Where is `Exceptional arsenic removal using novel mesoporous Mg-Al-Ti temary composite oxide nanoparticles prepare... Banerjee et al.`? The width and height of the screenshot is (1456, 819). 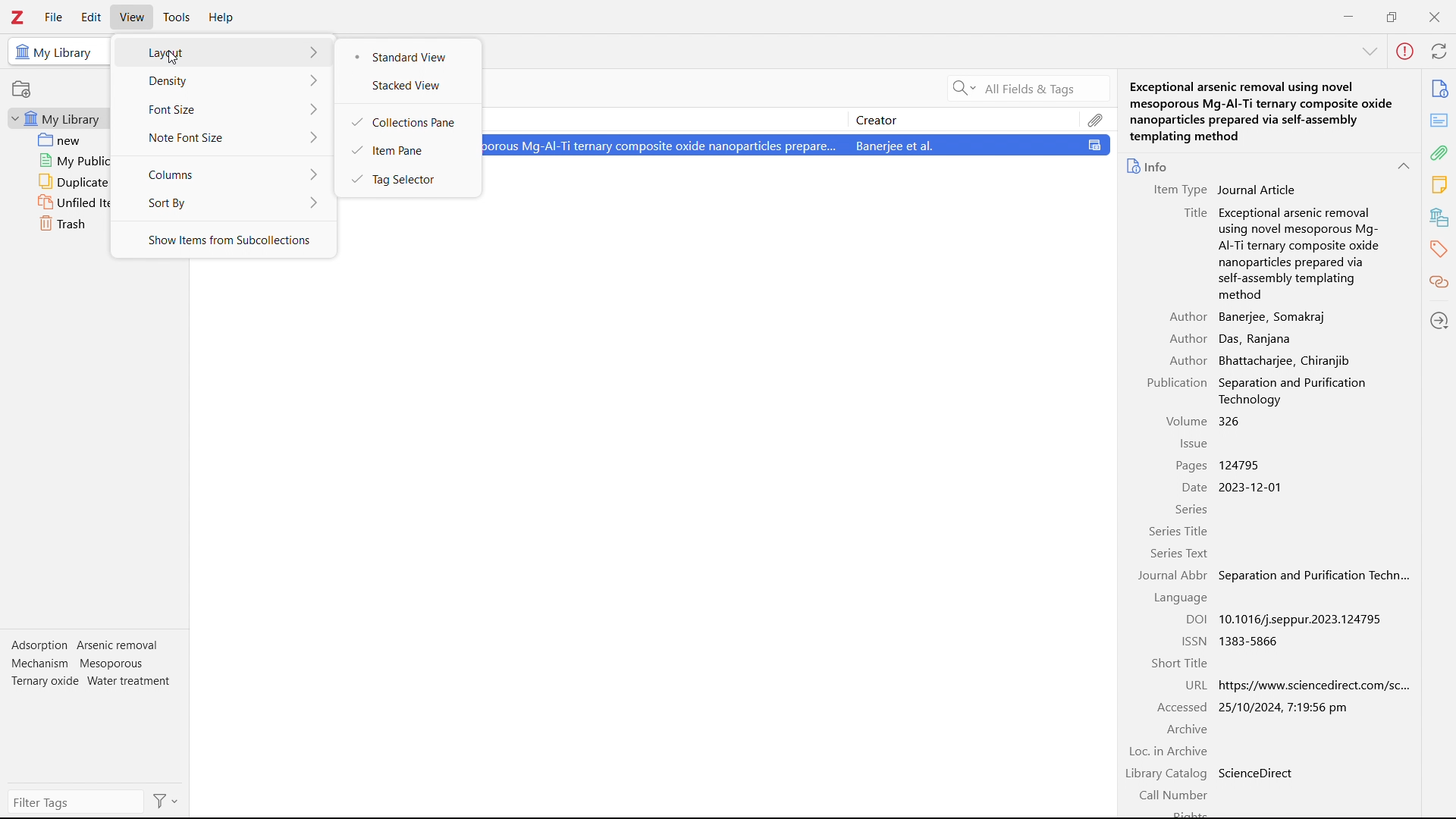 Exceptional arsenic removal using novel mesoporous Mg-Al-Ti temary composite oxide nanoparticles prepare... Banerjee et al. is located at coordinates (799, 145).